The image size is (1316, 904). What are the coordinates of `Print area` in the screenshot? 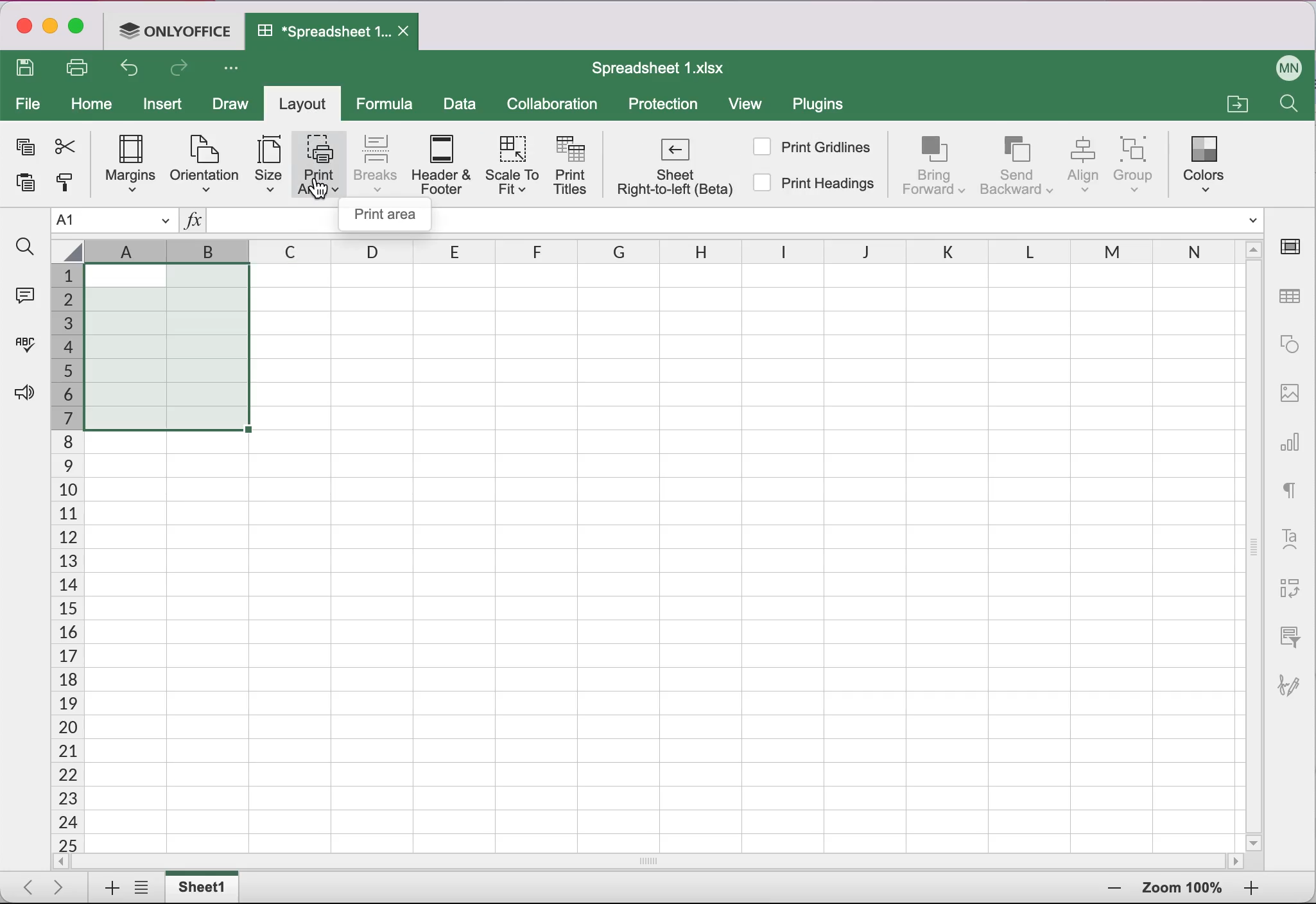 It's located at (313, 166).